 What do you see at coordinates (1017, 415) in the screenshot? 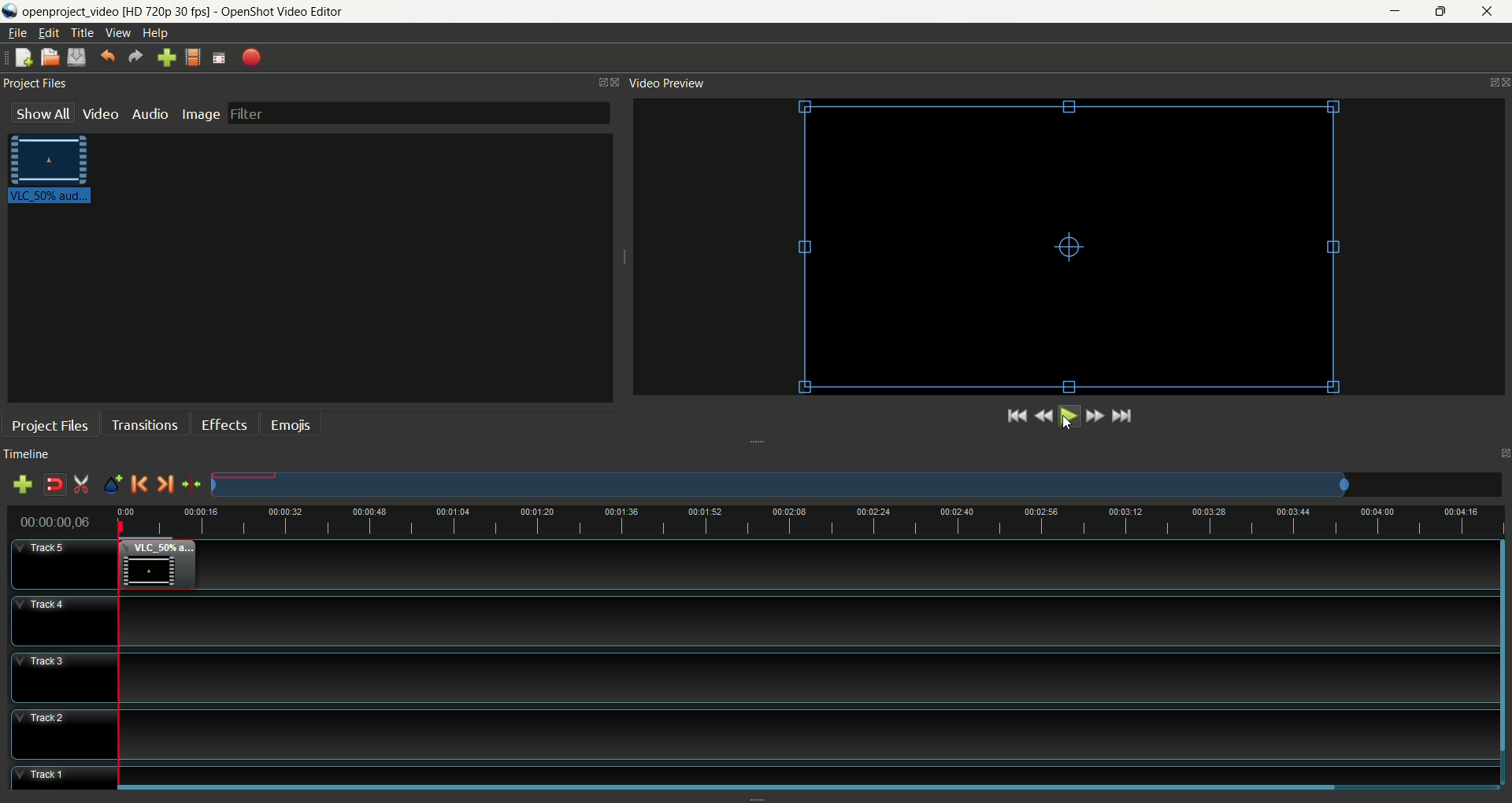
I see `jump to the start` at bounding box center [1017, 415].